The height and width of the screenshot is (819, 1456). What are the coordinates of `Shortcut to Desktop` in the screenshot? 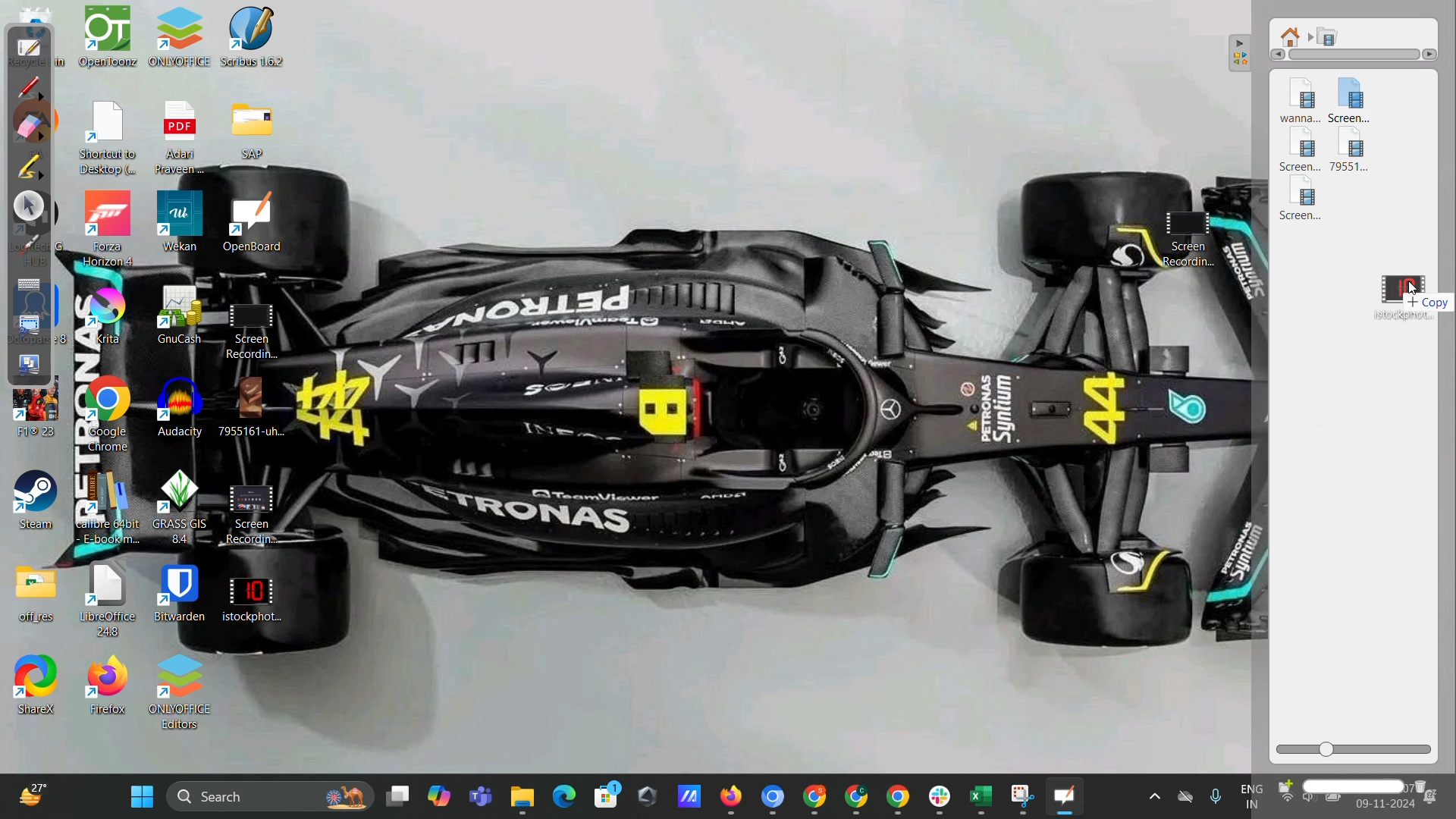 It's located at (111, 141).